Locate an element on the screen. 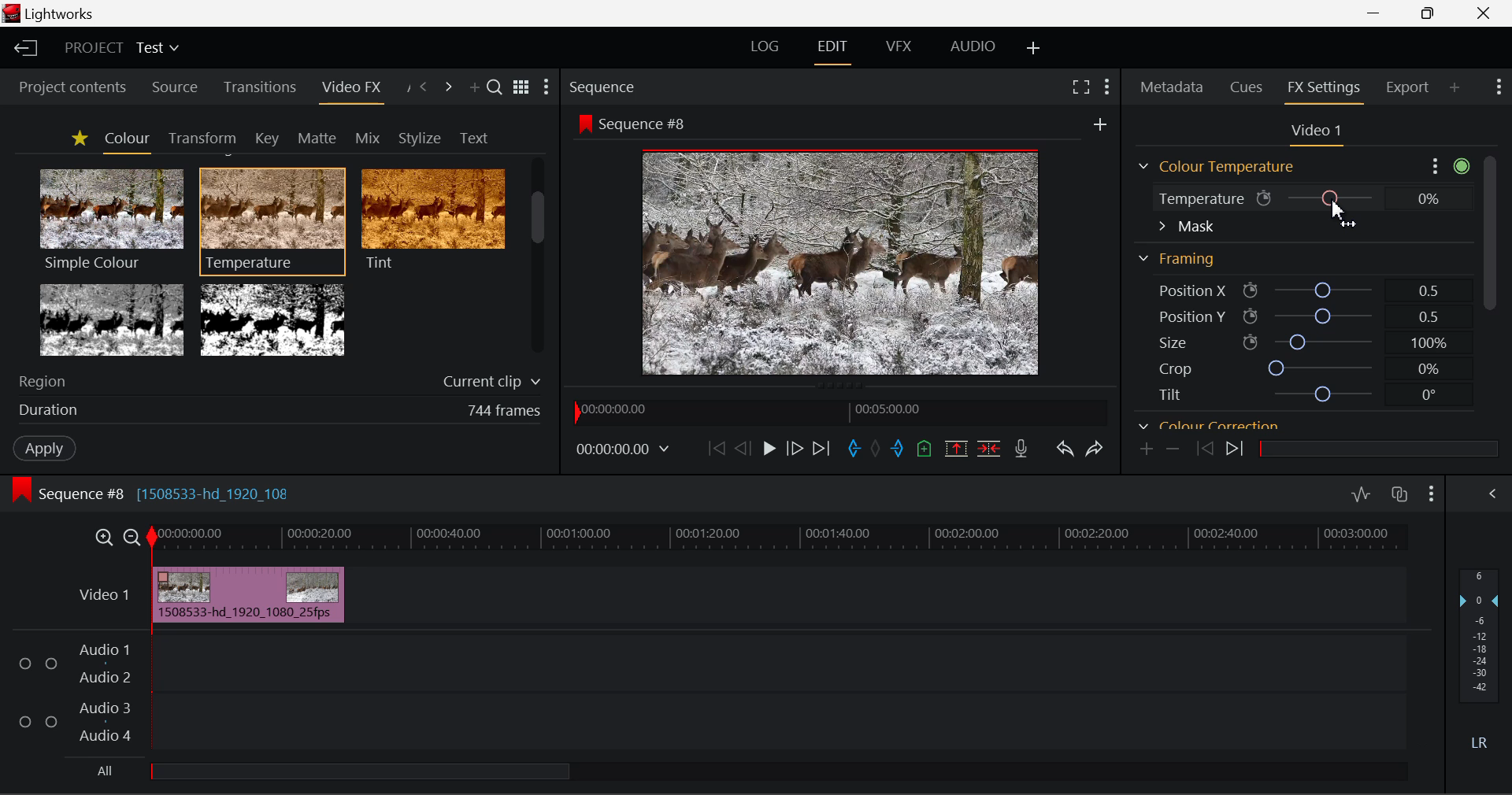  Export is located at coordinates (1409, 92).